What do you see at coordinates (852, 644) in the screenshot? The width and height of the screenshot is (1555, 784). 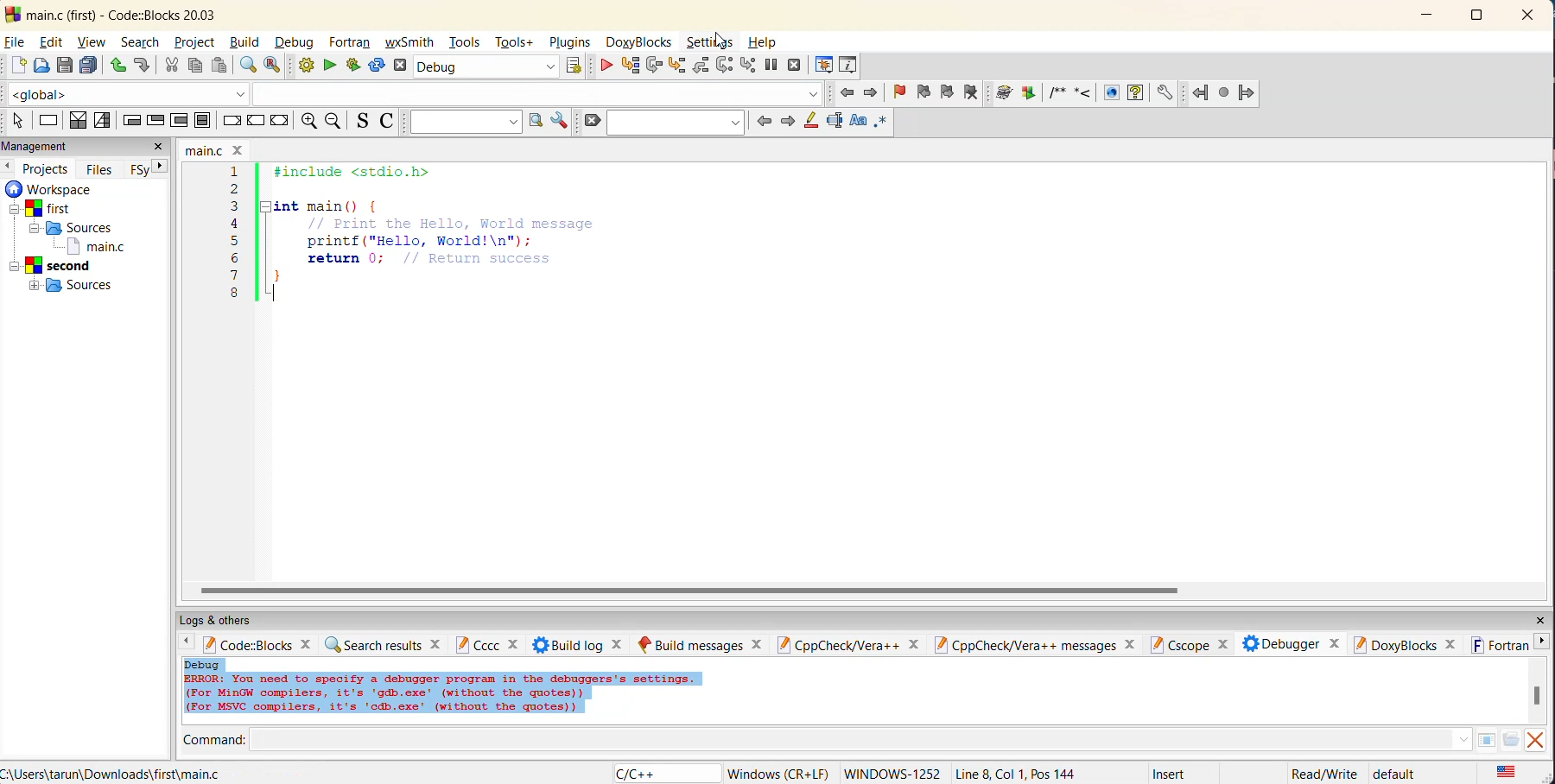 I see `cppcheck/vera++` at bounding box center [852, 644].